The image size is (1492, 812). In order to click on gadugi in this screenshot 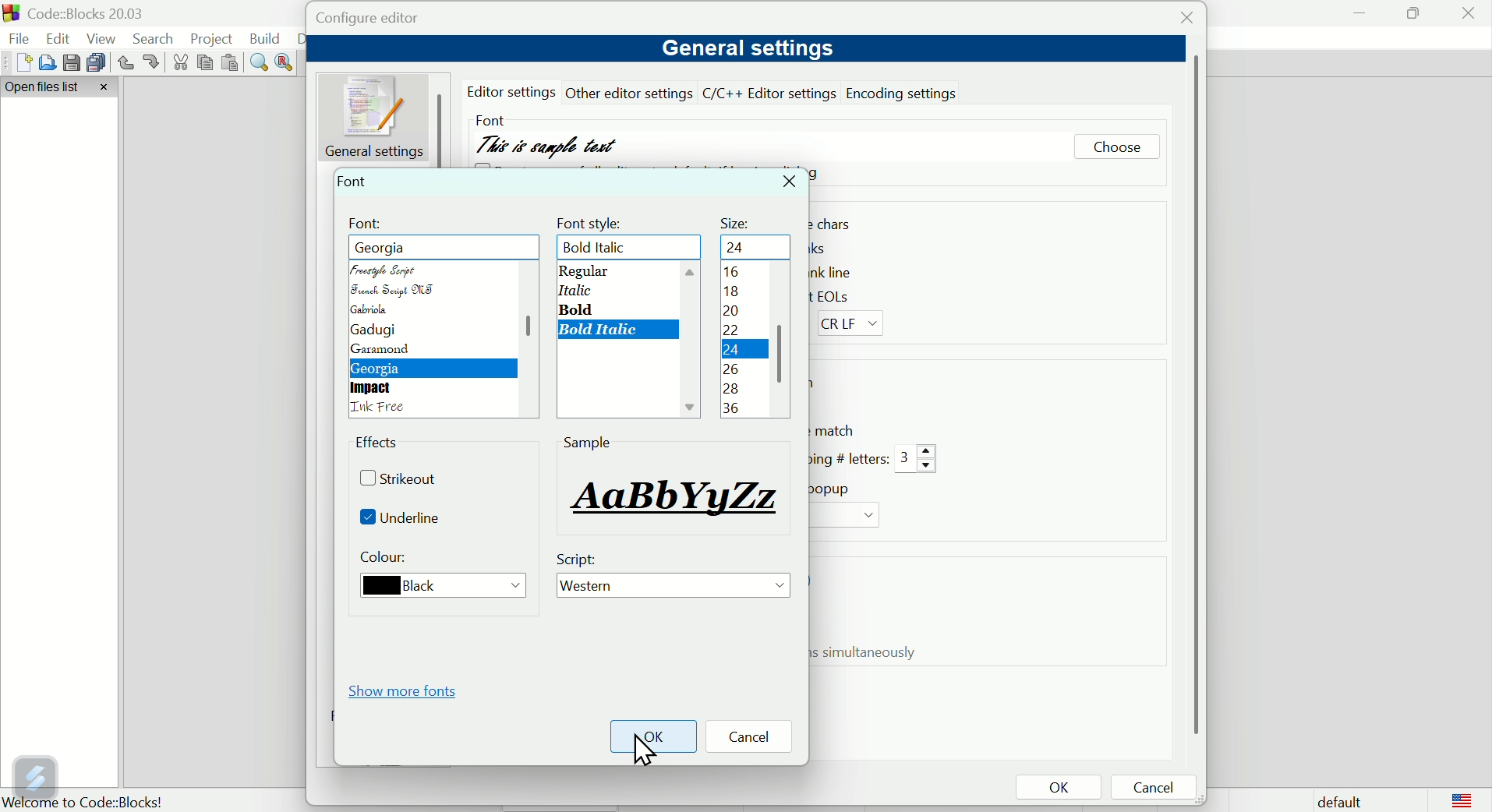, I will do `click(371, 330)`.